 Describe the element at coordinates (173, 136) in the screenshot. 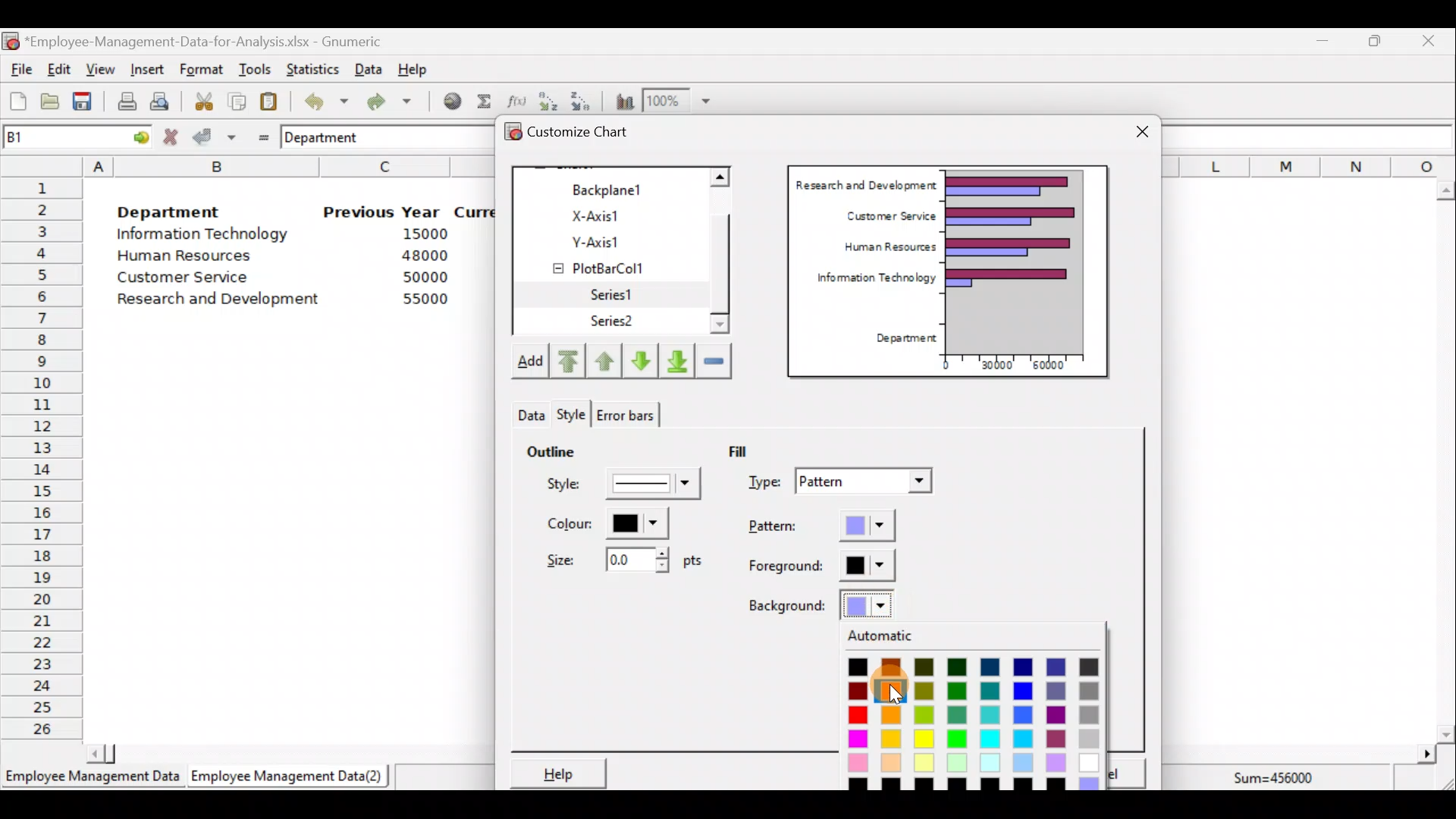

I see `Cancel change` at that location.